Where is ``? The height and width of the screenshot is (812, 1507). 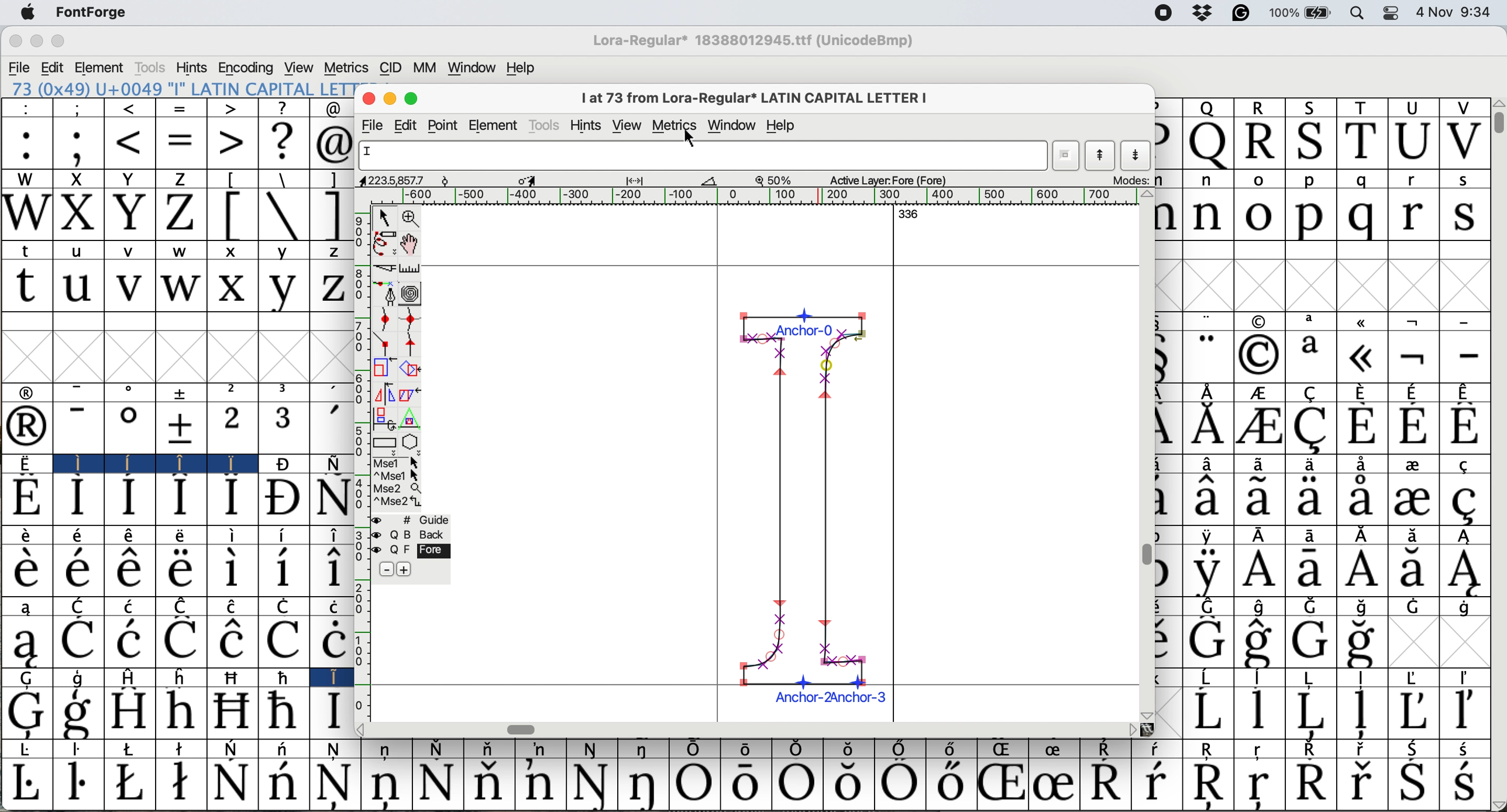  is located at coordinates (708, 180).